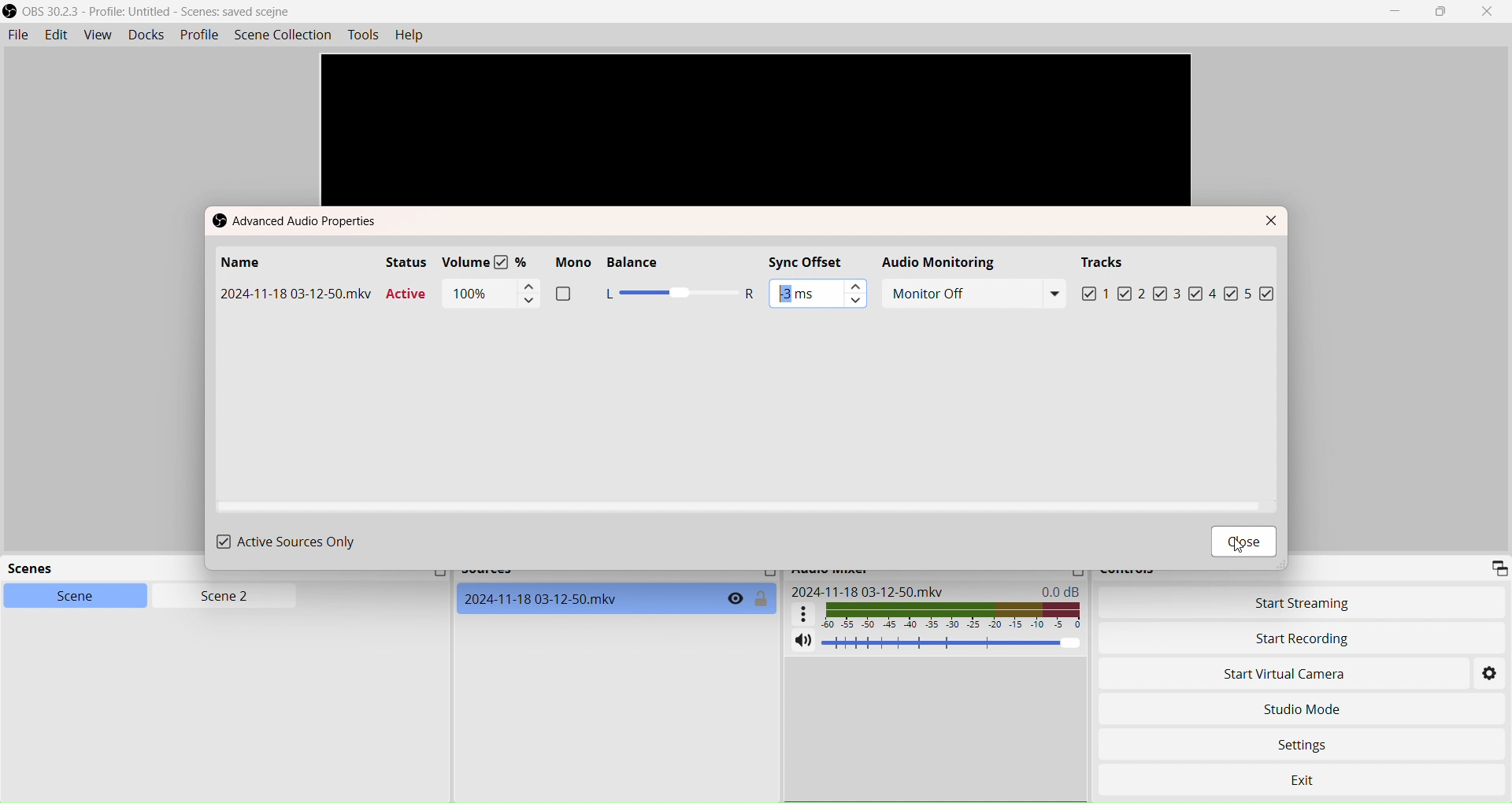  I want to click on File, so click(17, 35).